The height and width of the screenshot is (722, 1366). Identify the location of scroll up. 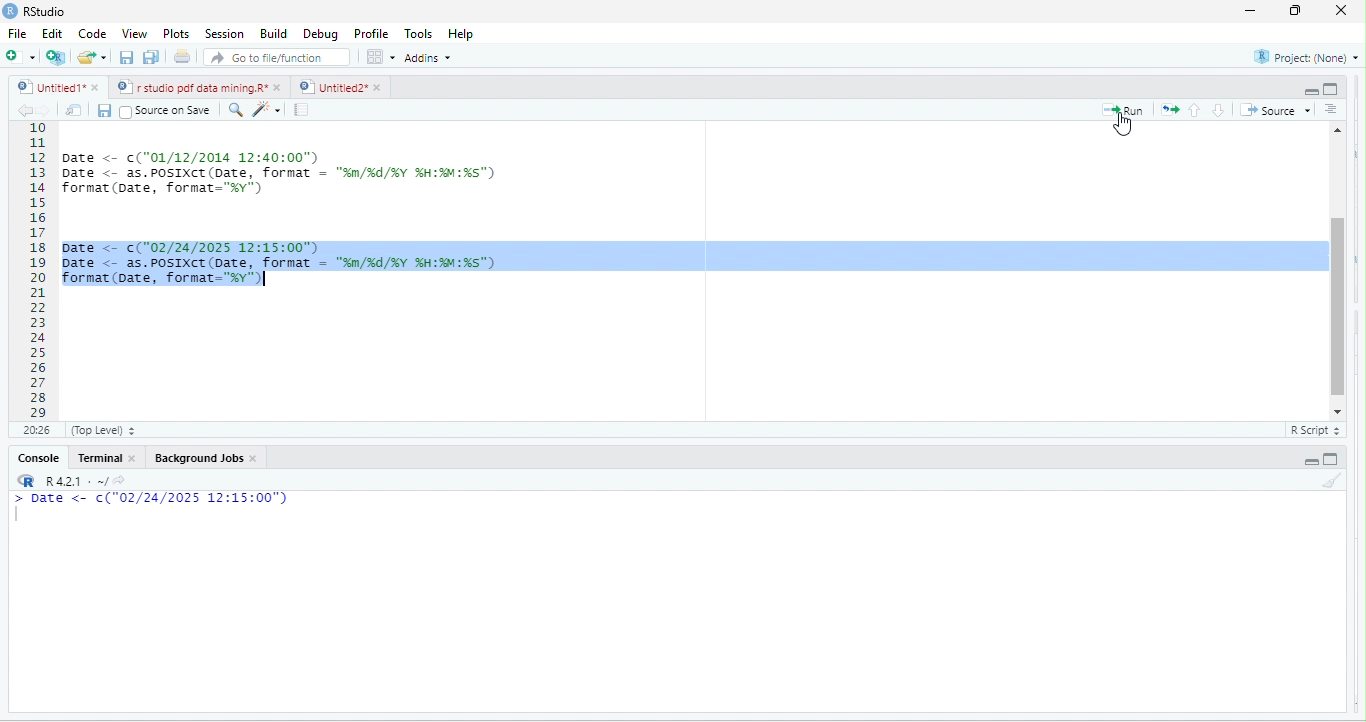
(1339, 128).